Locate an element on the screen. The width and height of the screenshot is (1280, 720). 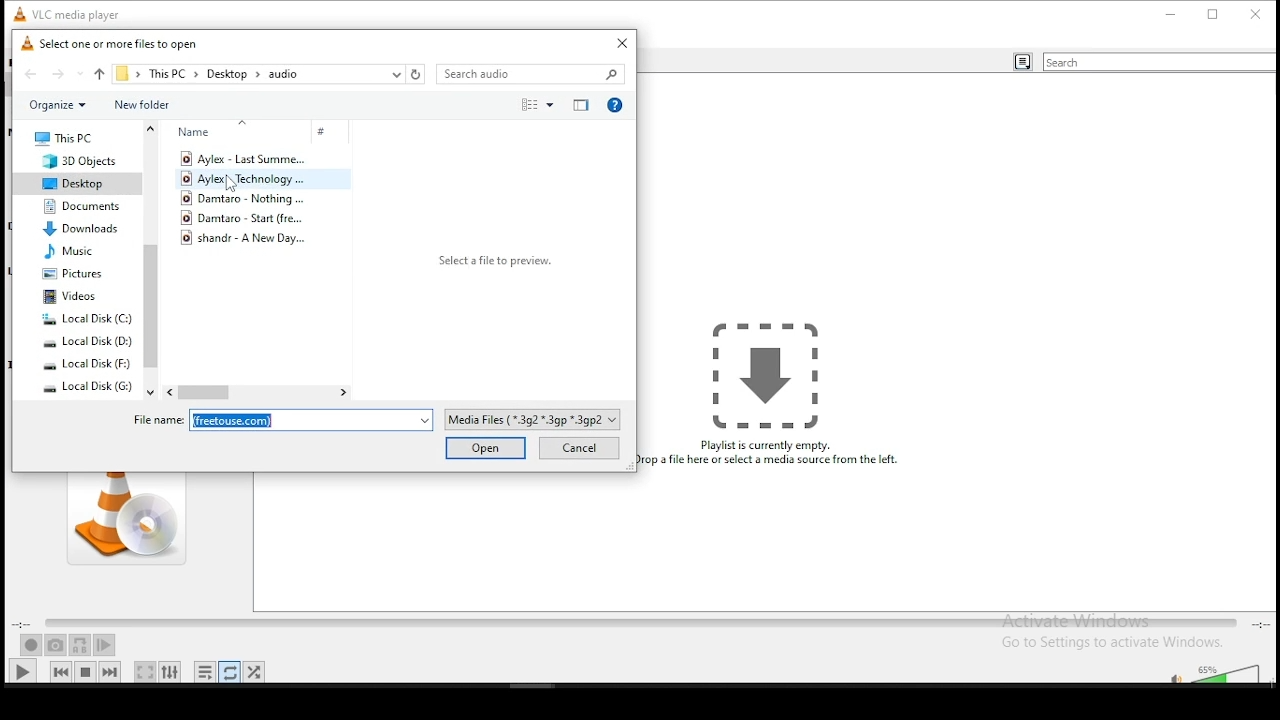
seek bar is located at coordinates (640, 624).